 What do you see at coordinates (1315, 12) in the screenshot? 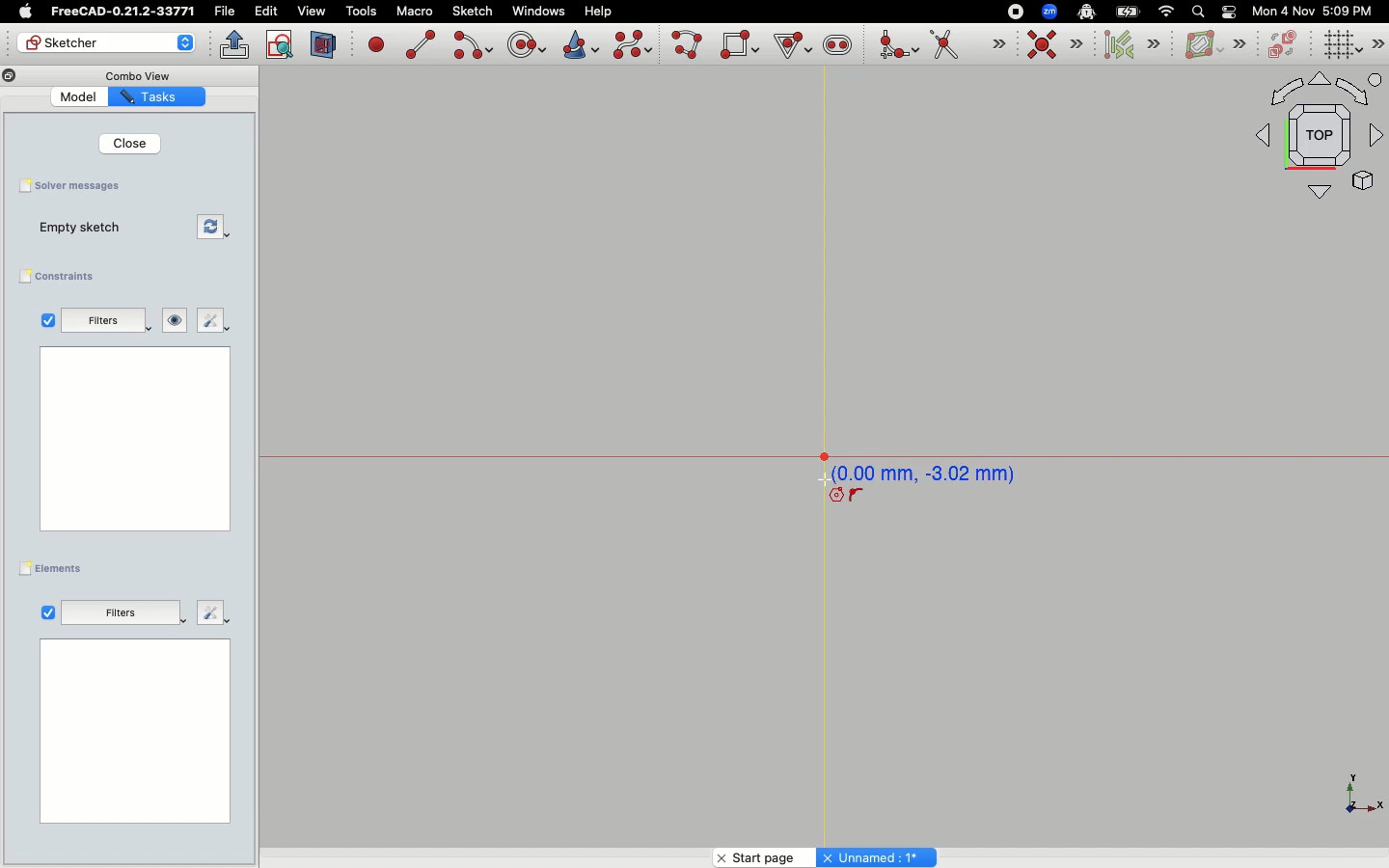
I see `Mon 4 Nov 5:09 PM` at bounding box center [1315, 12].